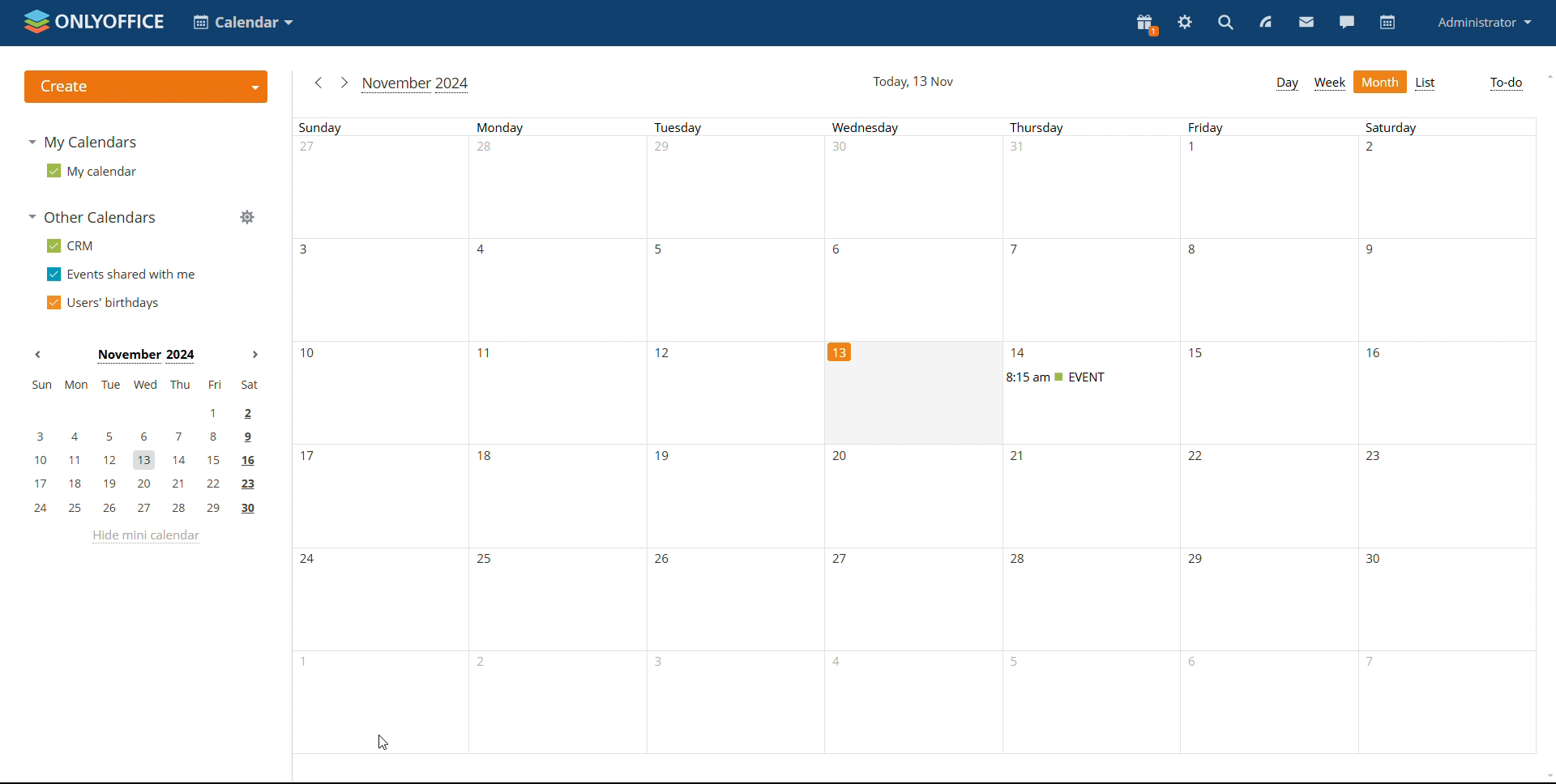  What do you see at coordinates (911, 82) in the screenshot?
I see `current date` at bounding box center [911, 82].